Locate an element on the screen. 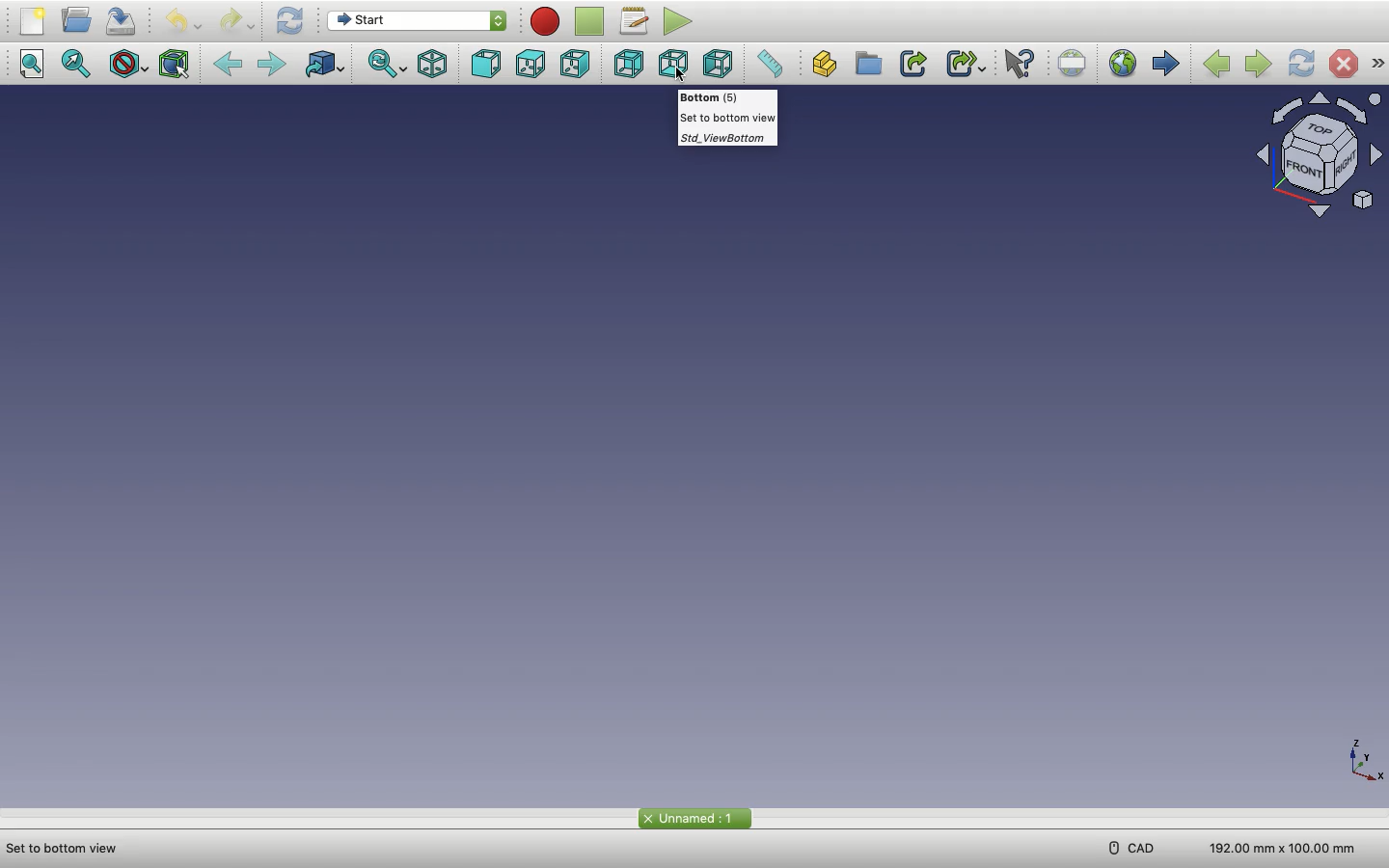  Go to linked object is located at coordinates (328, 67).